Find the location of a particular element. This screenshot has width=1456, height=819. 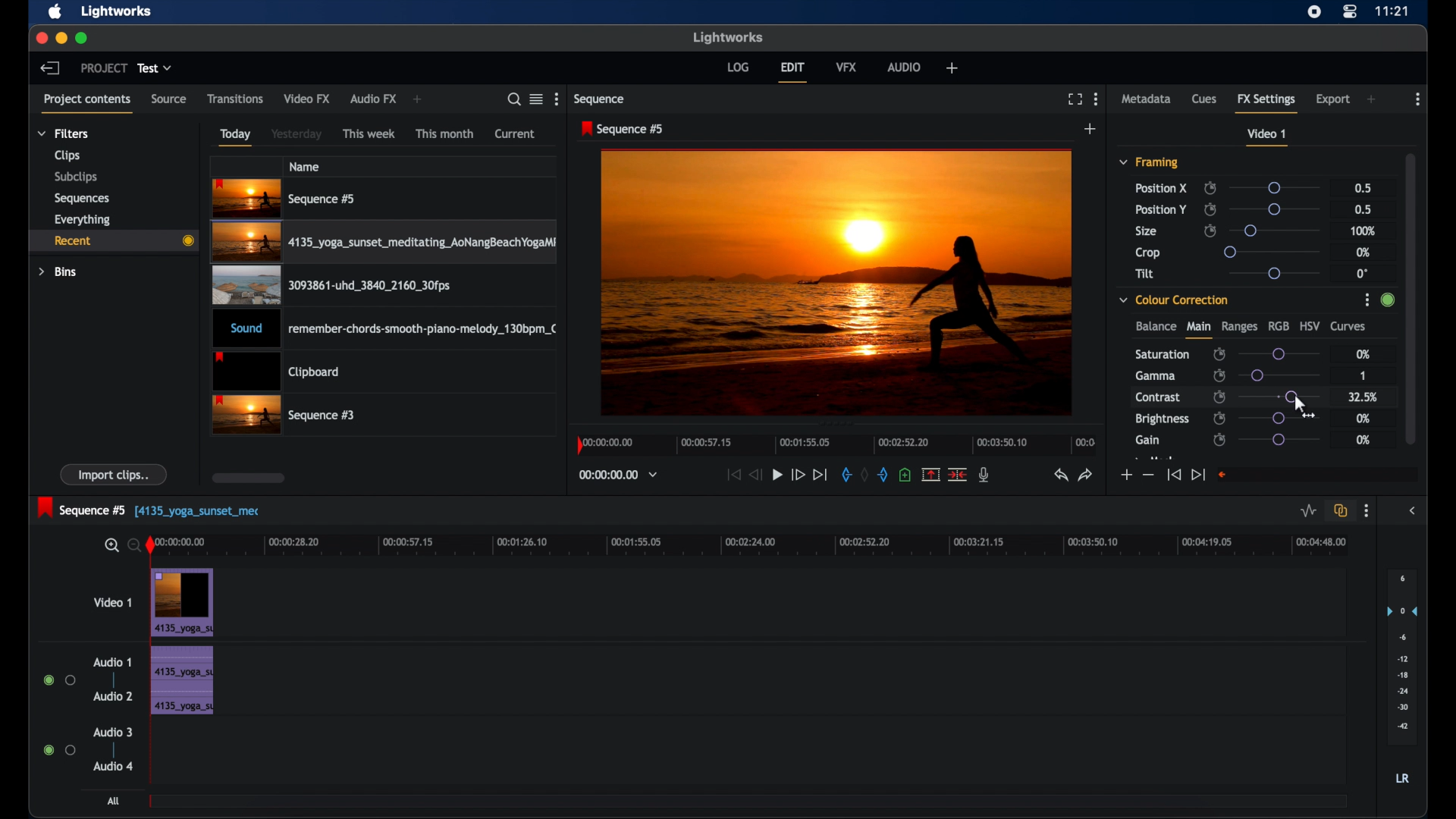

audio 2 is located at coordinates (114, 695).